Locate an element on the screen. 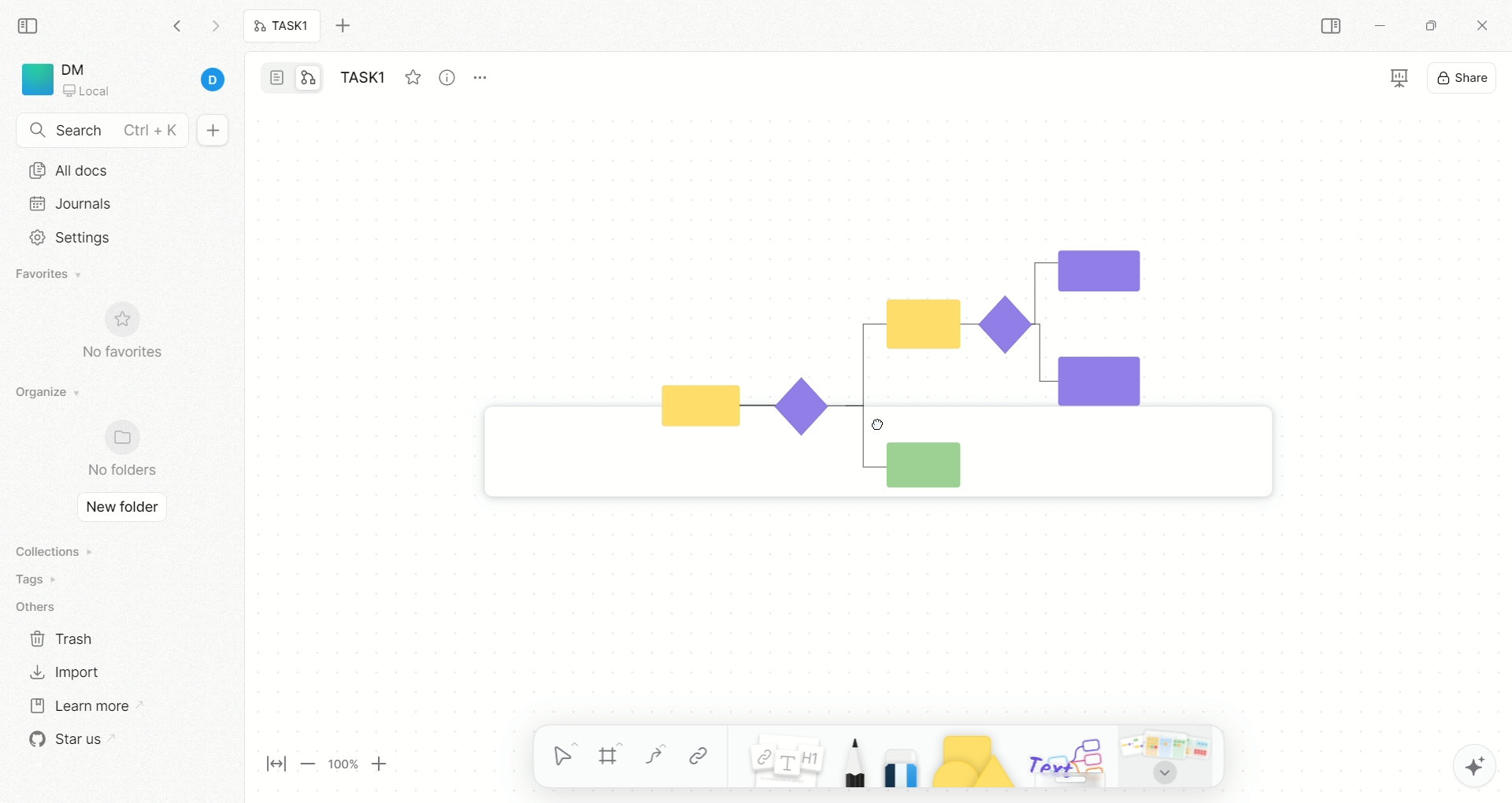 The height and width of the screenshot is (803, 1512). eraser is located at coordinates (896, 756).